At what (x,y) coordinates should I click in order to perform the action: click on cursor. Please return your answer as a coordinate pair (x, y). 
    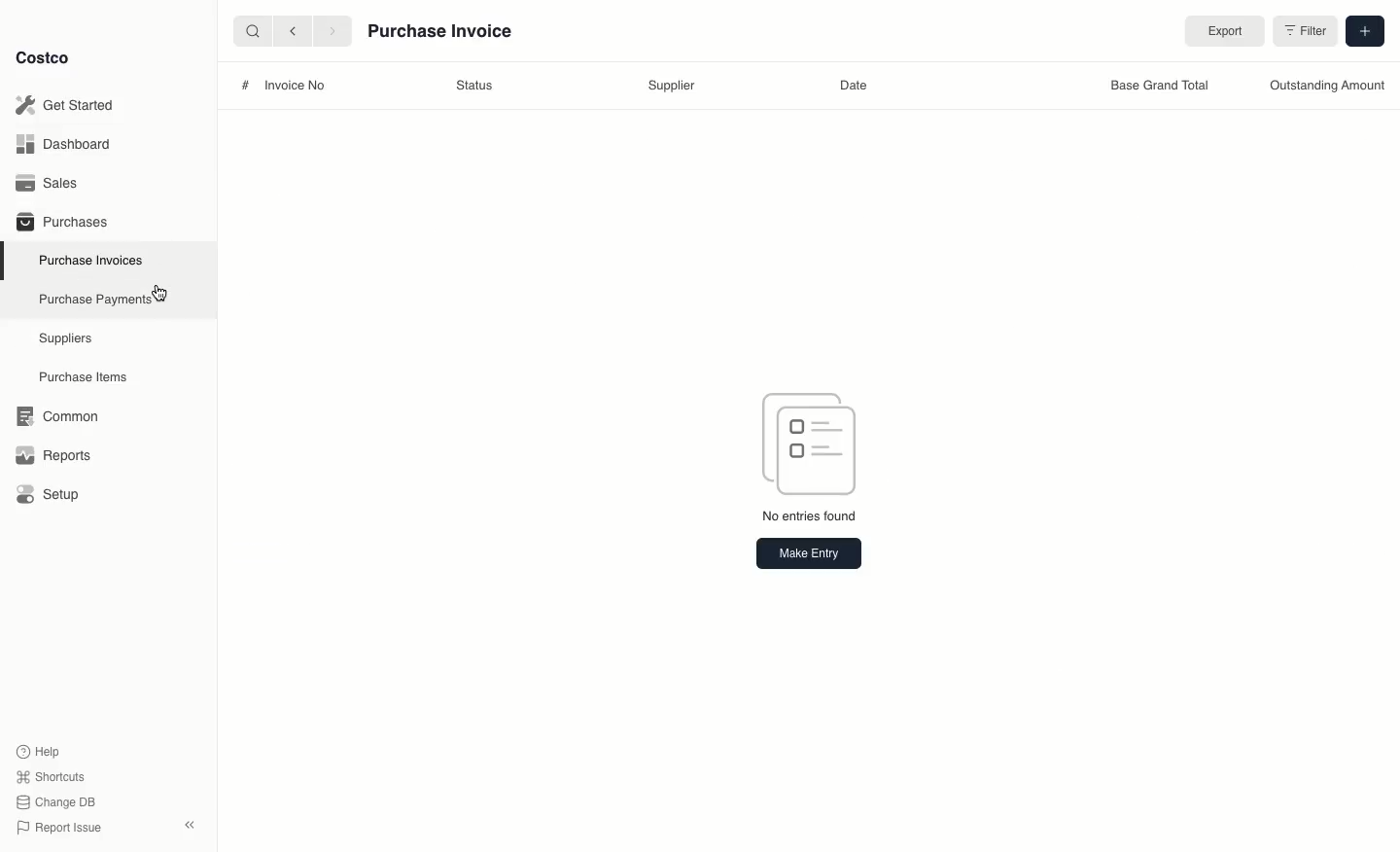
    Looking at the image, I should click on (164, 294).